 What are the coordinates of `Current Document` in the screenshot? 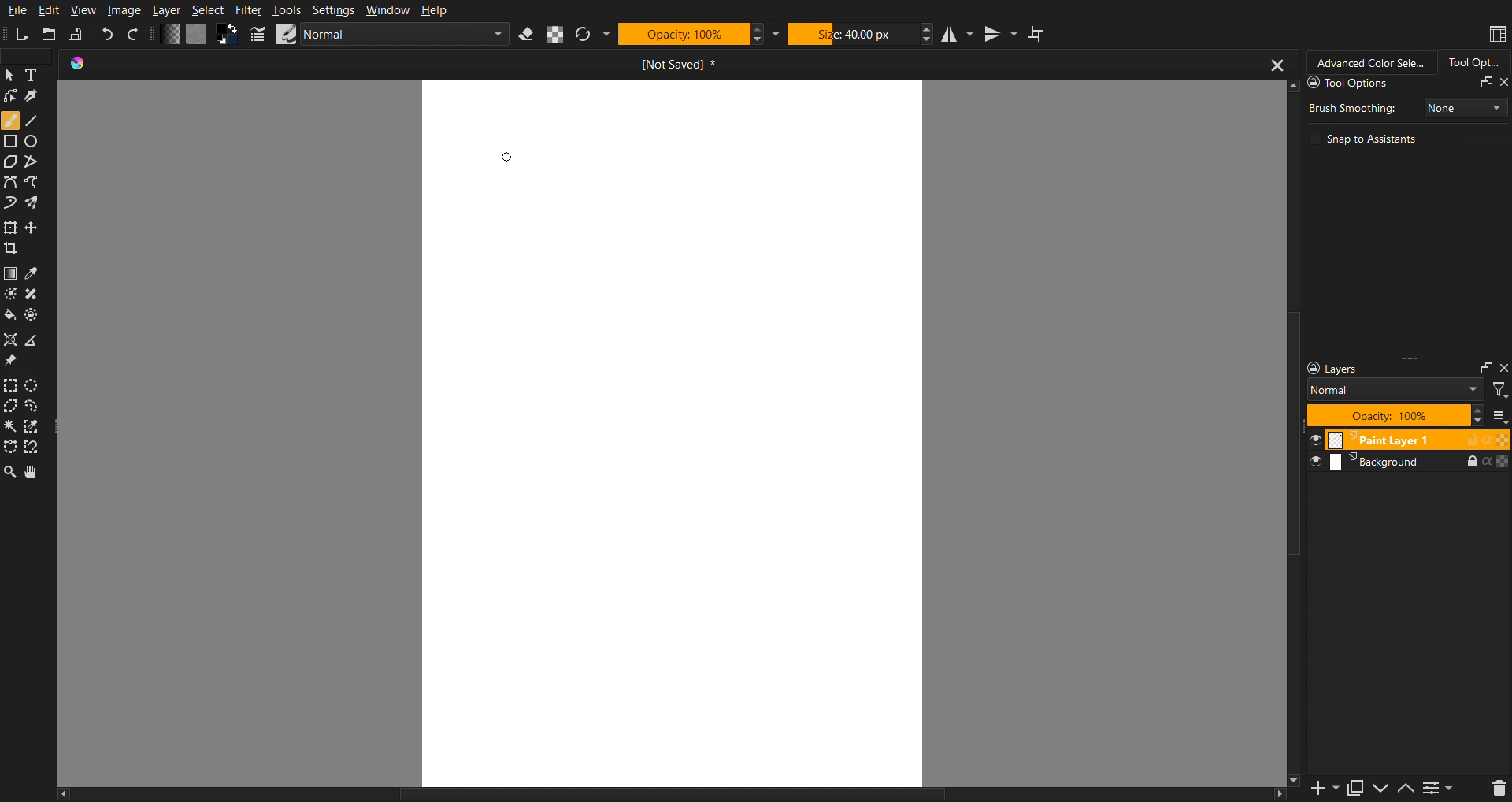 It's located at (678, 64).